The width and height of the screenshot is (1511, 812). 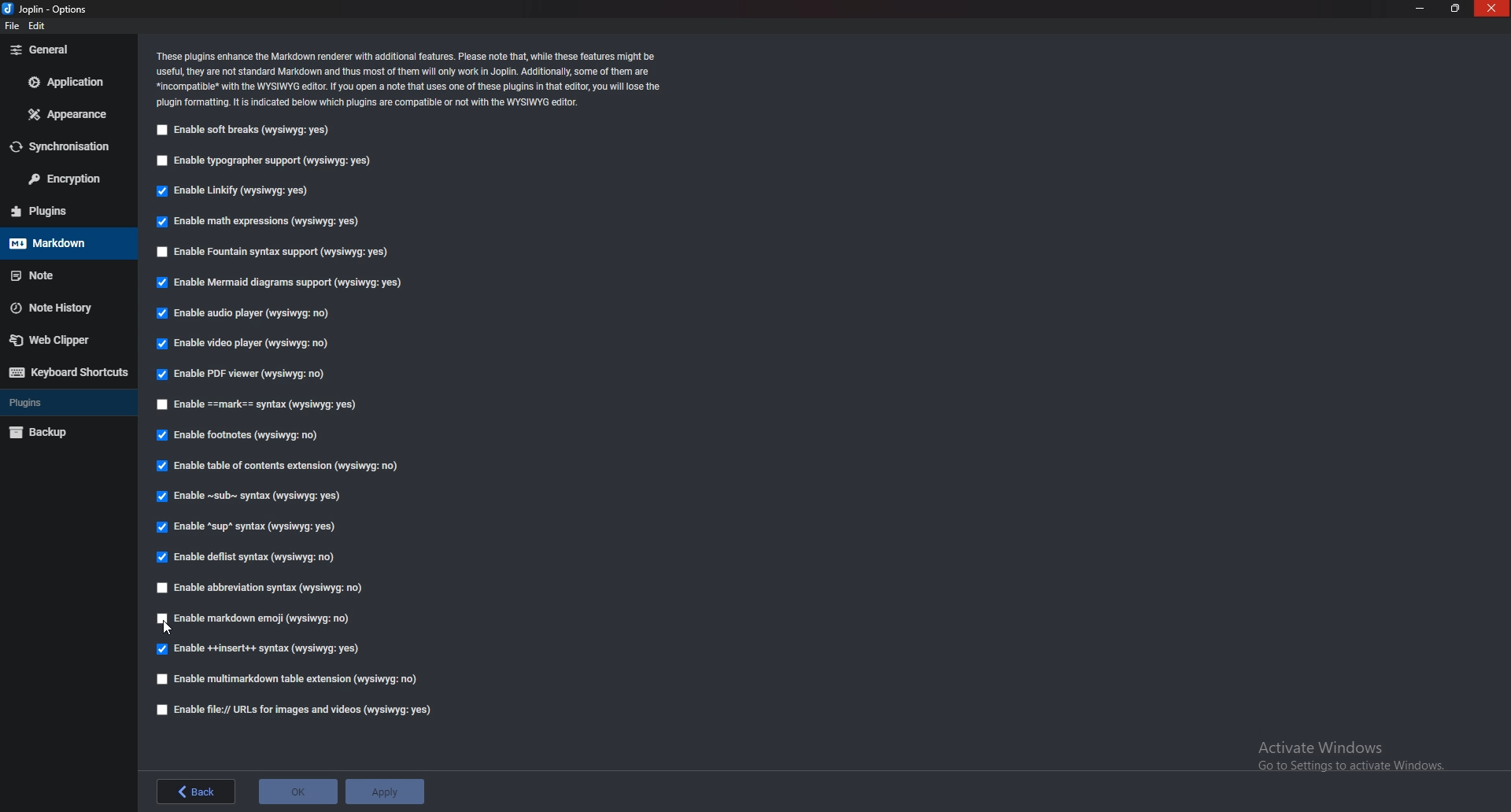 What do you see at coordinates (249, 312) in the screenshot?
I see `Enable audio player` at bounding box center [249, 312].